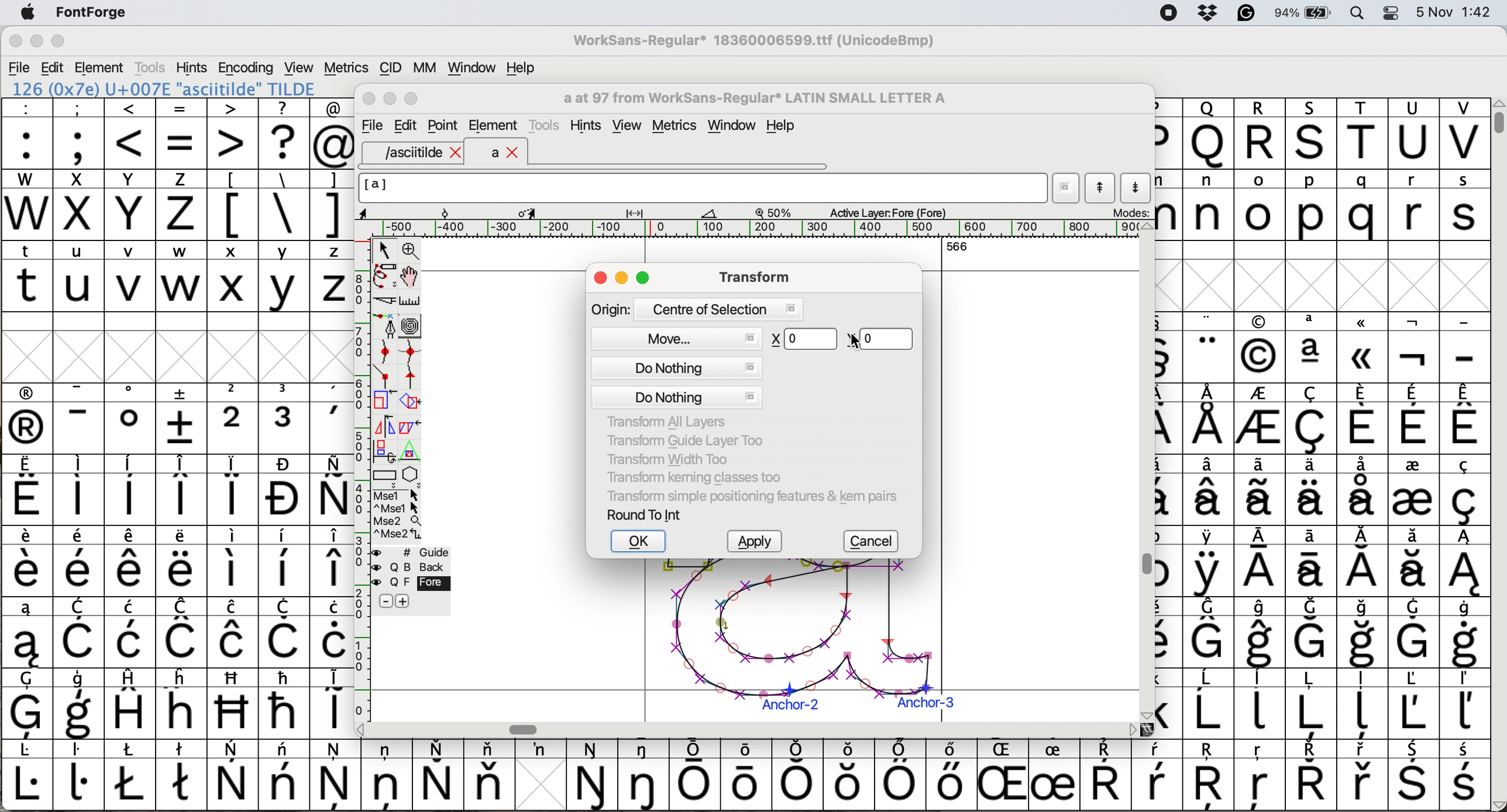 This screenshot has height=812, width=1507. I want to click on window, so click(734, 126).